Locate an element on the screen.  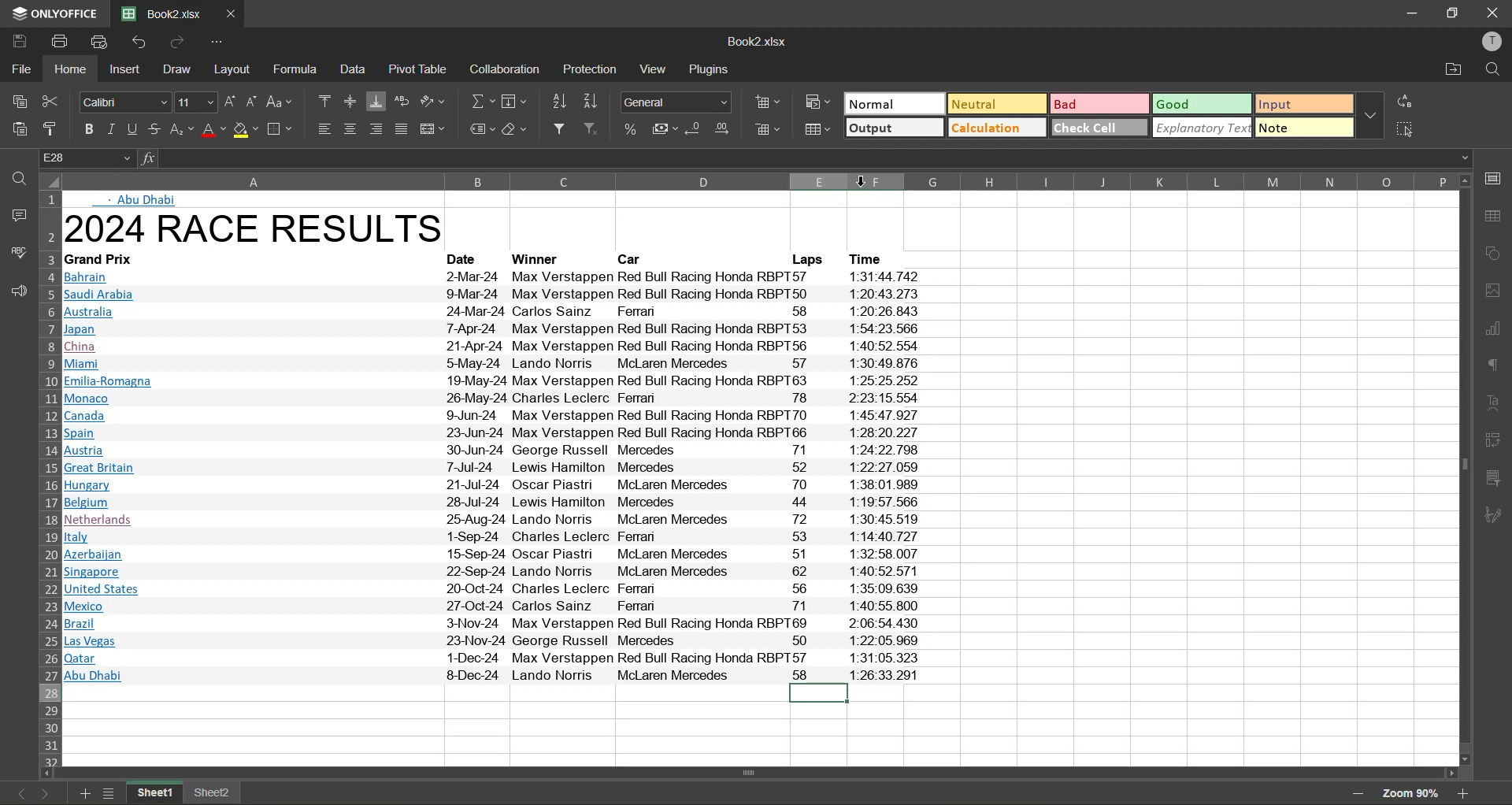
wrap text is located at coordinates (402, 101).